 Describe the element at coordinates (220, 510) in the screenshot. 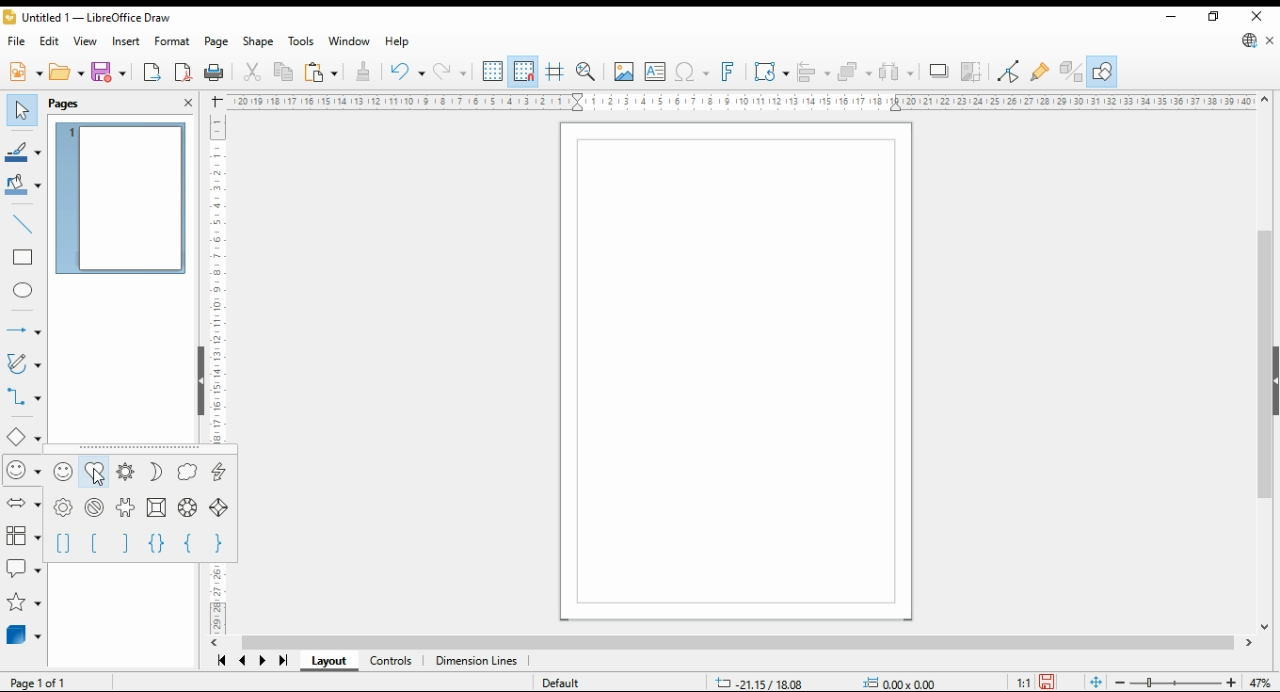

I see `diamond bevel` at that location.